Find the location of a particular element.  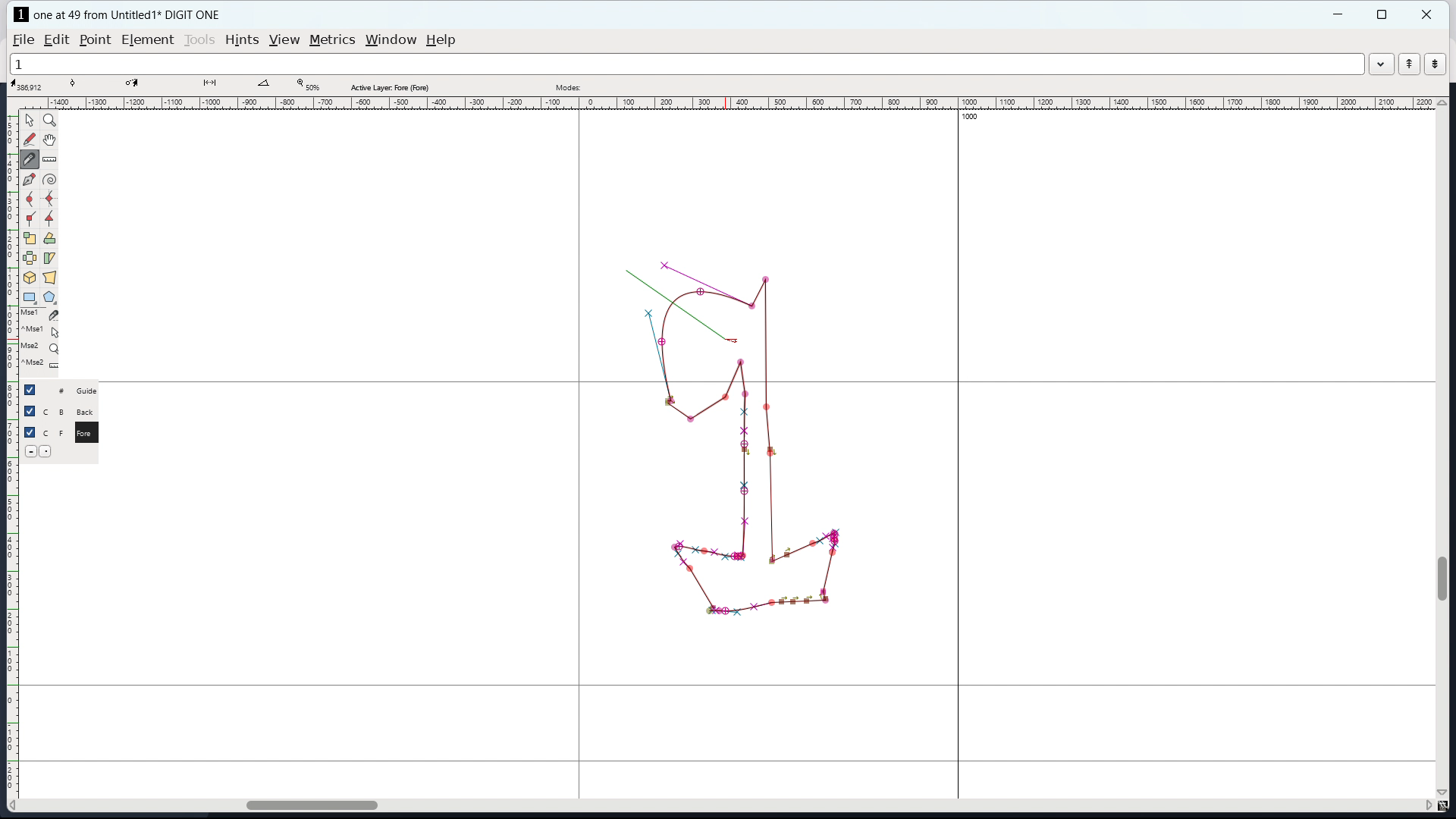

scroll left is located at coordinates (16, 805).